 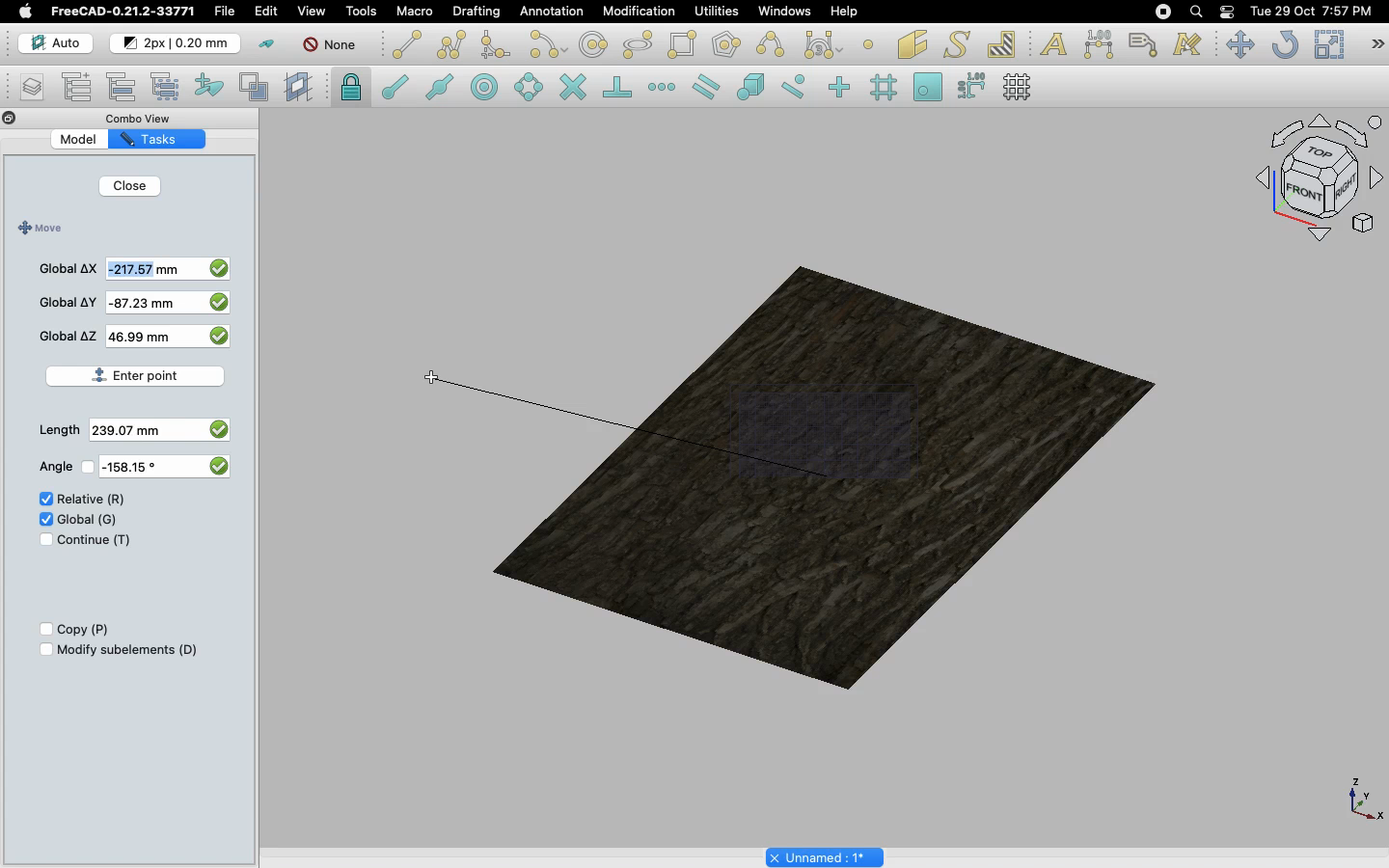 I want to click on Annotation, so click(x=552, y=11).